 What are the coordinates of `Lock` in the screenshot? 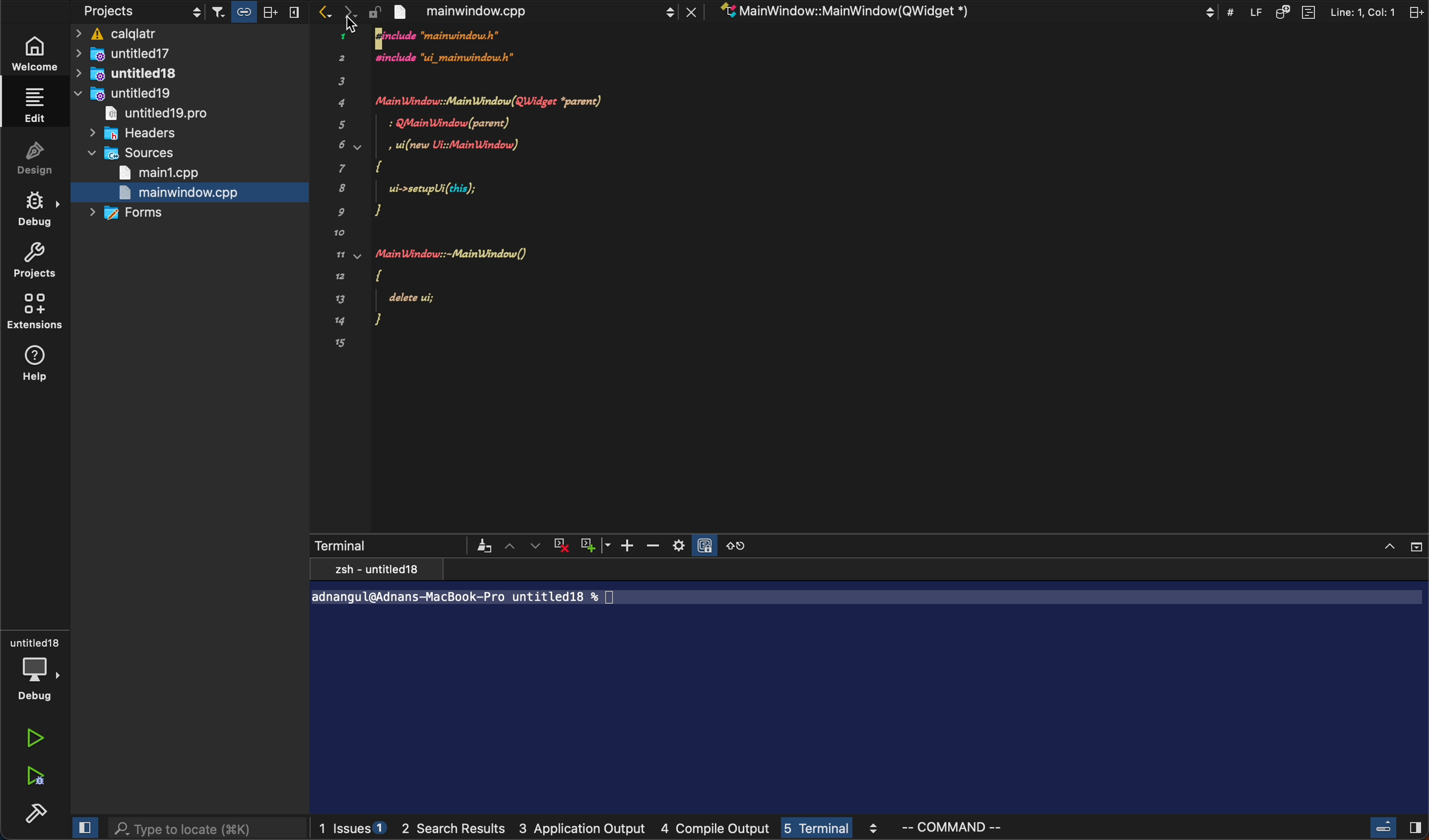 It's located at (704, 544).